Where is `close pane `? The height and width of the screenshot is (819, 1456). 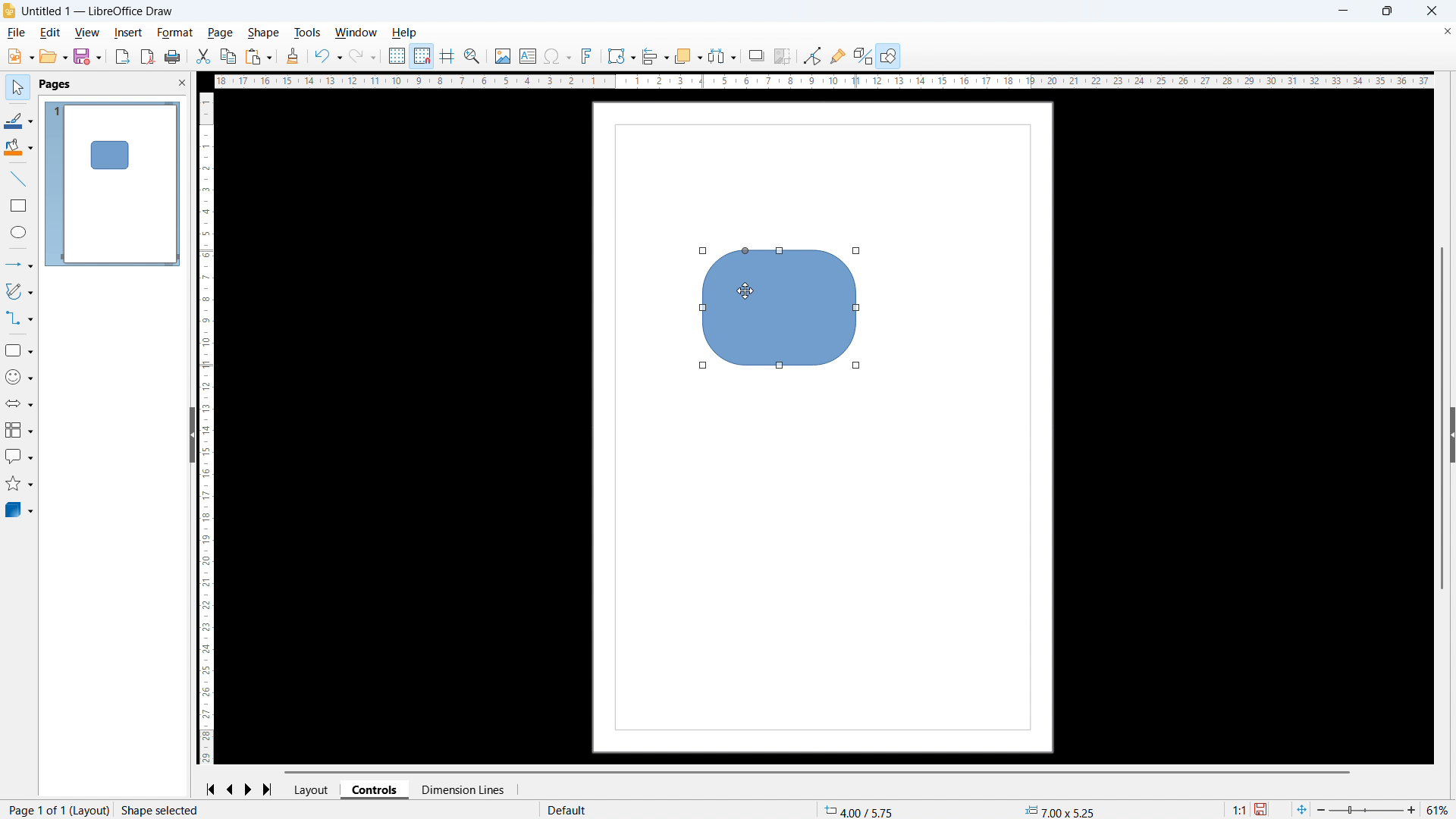
close pane  is located at coordinates (182, 83).